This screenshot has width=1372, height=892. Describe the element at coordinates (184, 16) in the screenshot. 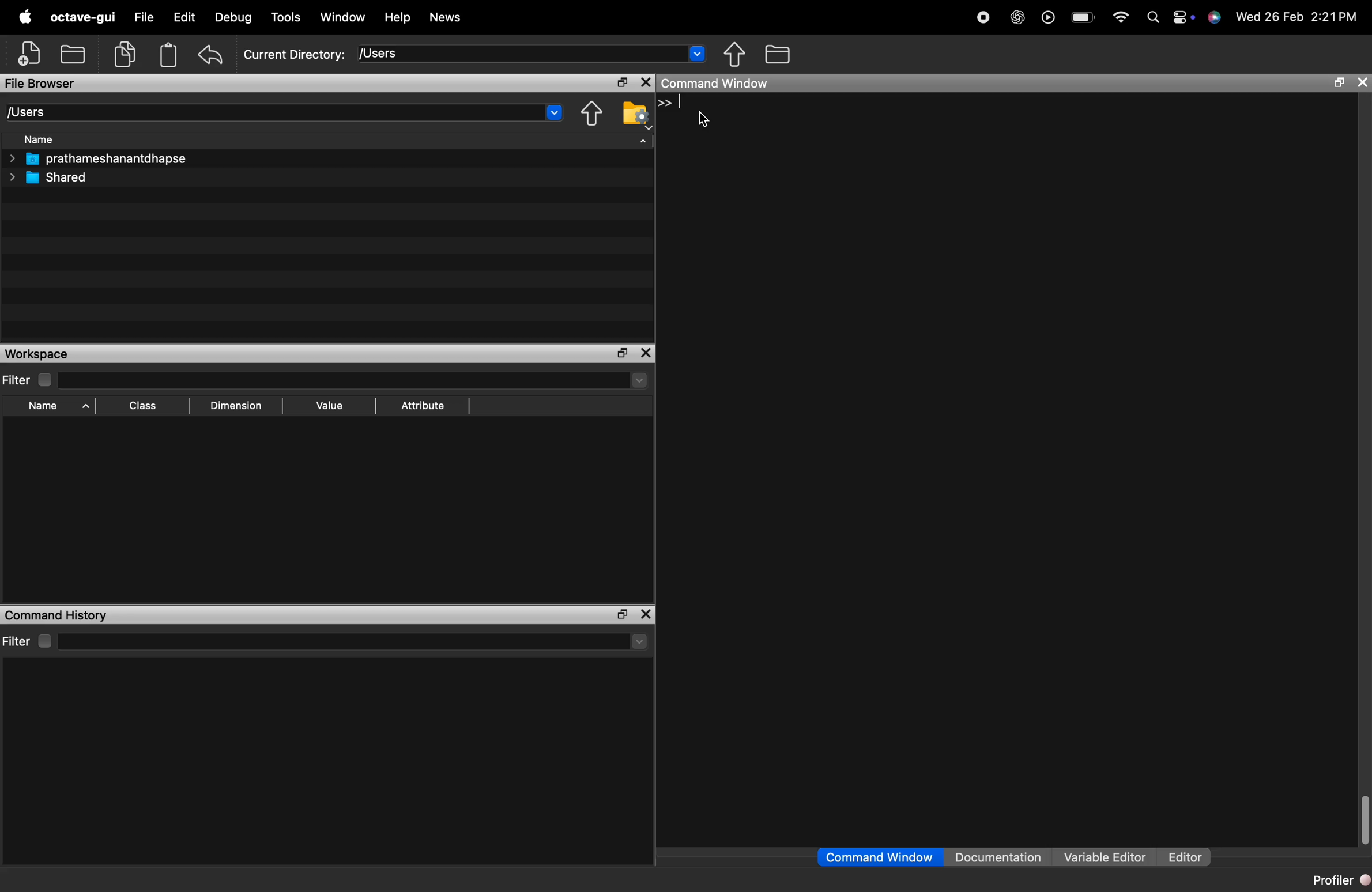

I see `Edit` at that location.